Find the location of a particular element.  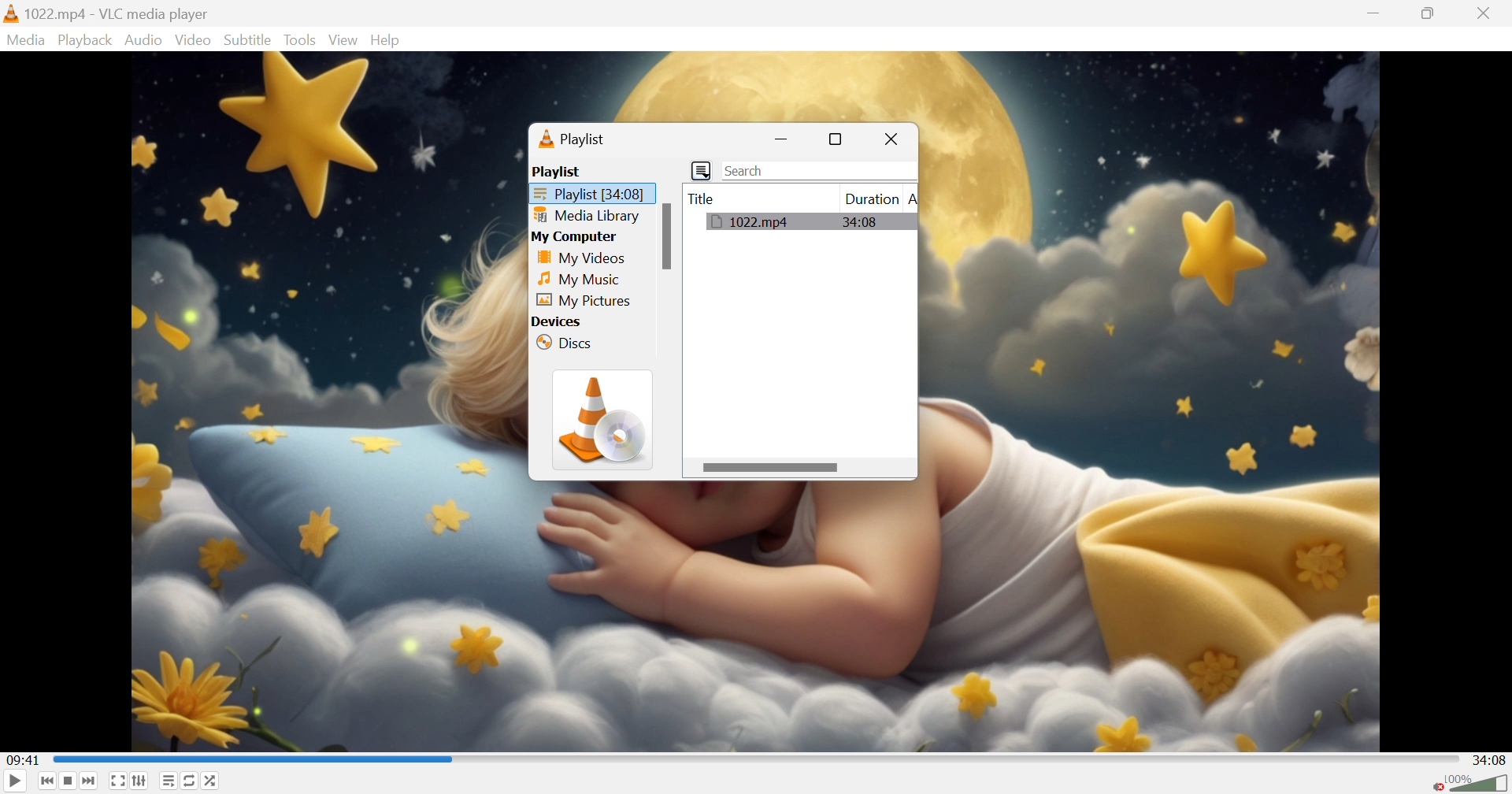

Devices is located at coordinates (555, 323).